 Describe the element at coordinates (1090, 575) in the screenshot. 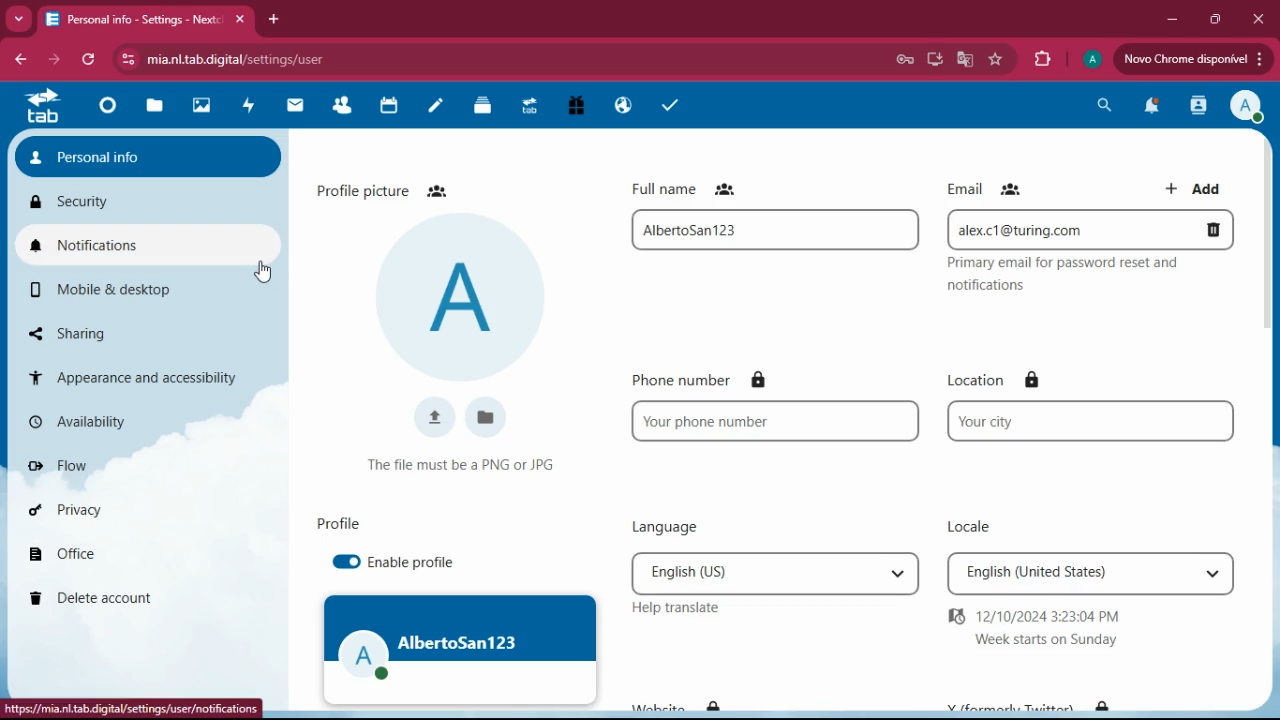

I see `locale` at that location.